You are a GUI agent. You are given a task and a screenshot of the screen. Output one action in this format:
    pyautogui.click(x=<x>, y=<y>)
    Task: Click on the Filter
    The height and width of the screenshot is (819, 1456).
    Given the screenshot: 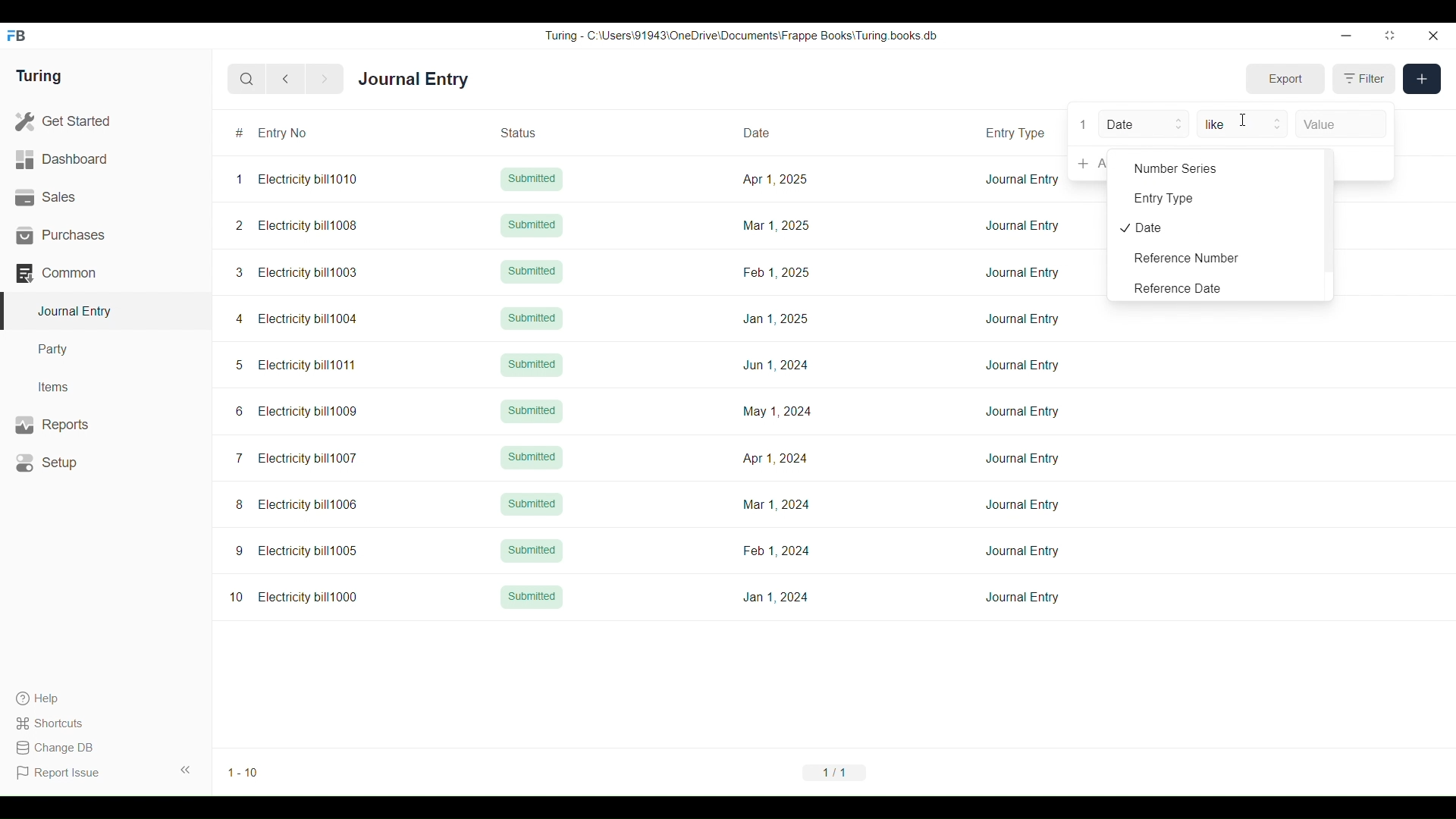 What is the action you would take?
    pyautogui.click(x=1364, y=79)
    